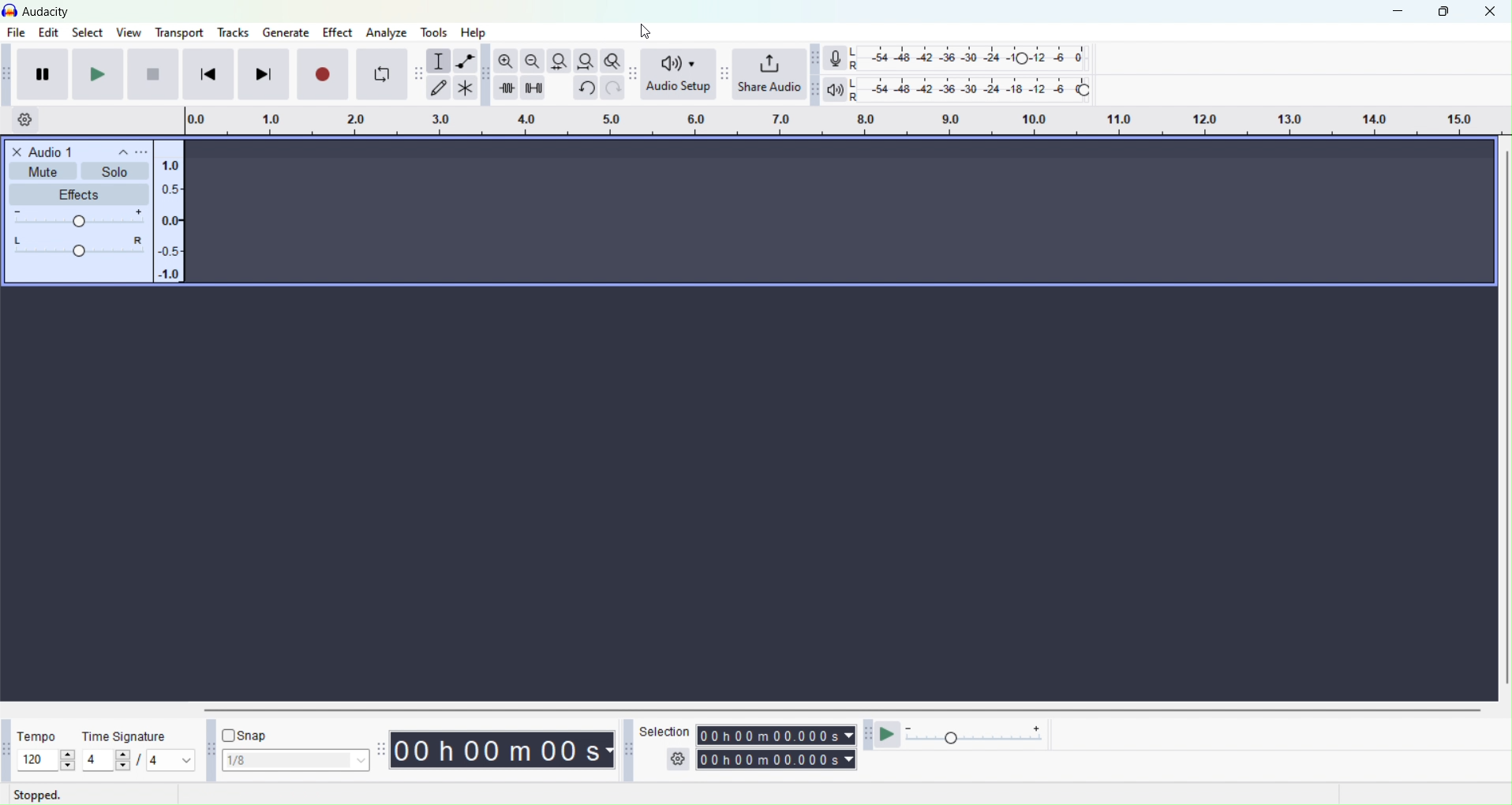 The image size is (1512, 805). I want to click on Zoom toggle, so click(613, 61).